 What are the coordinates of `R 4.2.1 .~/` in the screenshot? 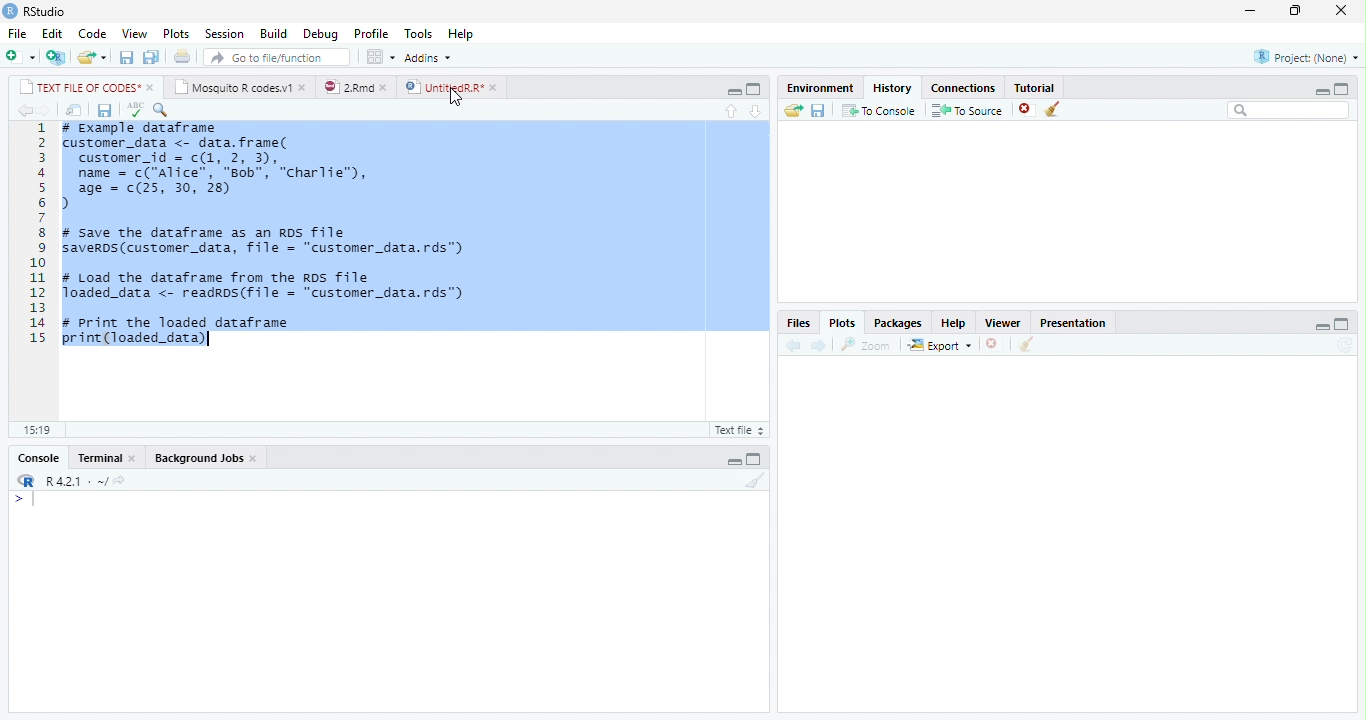 It's located at (73, 479).